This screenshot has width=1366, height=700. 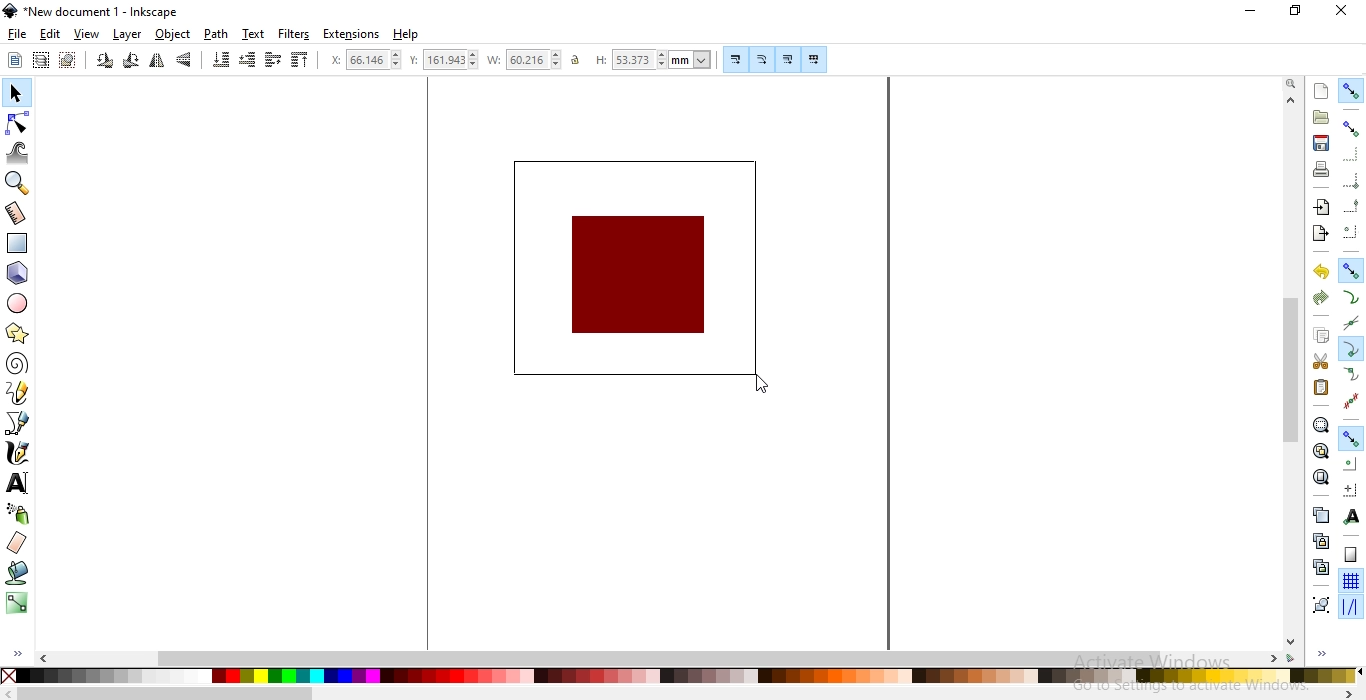 What do you see at coordinates (222, 60) in the screenshot?
I see `lower selection to bottom` at bounding box center [222, 60].